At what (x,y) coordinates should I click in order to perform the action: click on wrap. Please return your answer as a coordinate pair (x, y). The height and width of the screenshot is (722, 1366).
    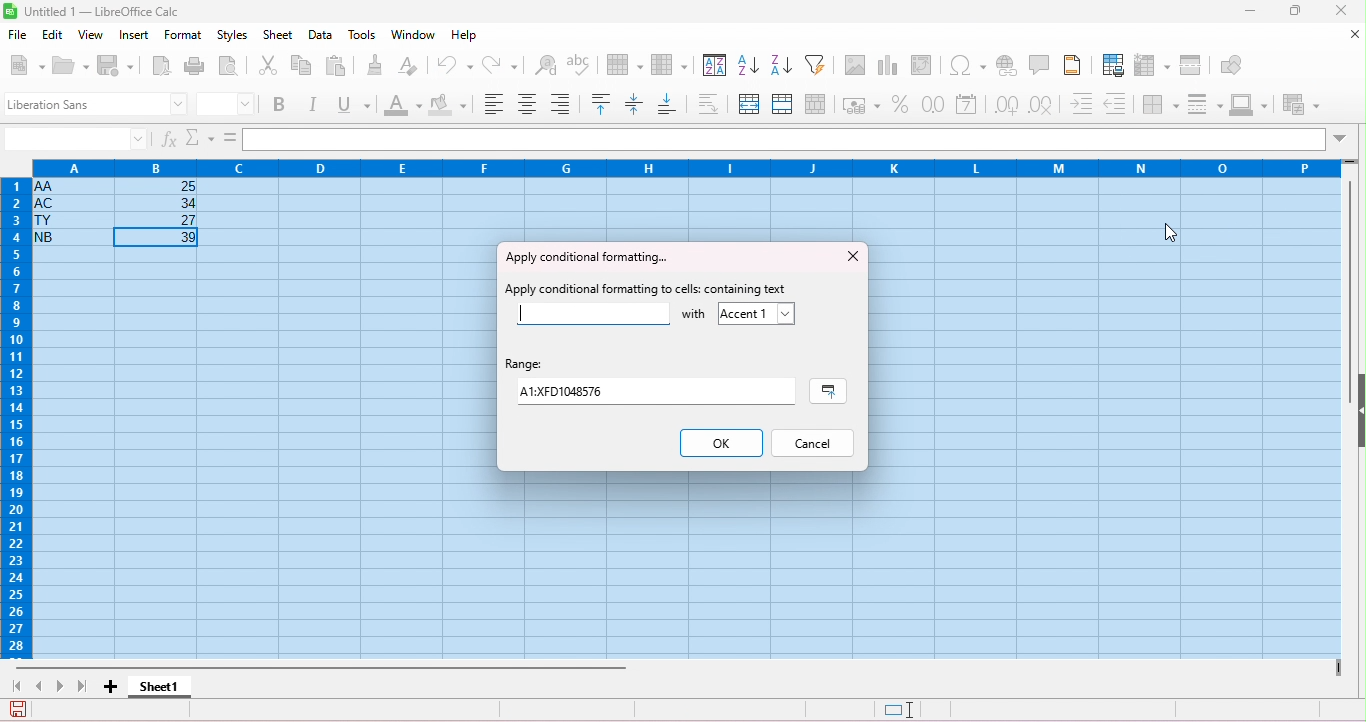
    Looking at the image, I should click on (704, 103).